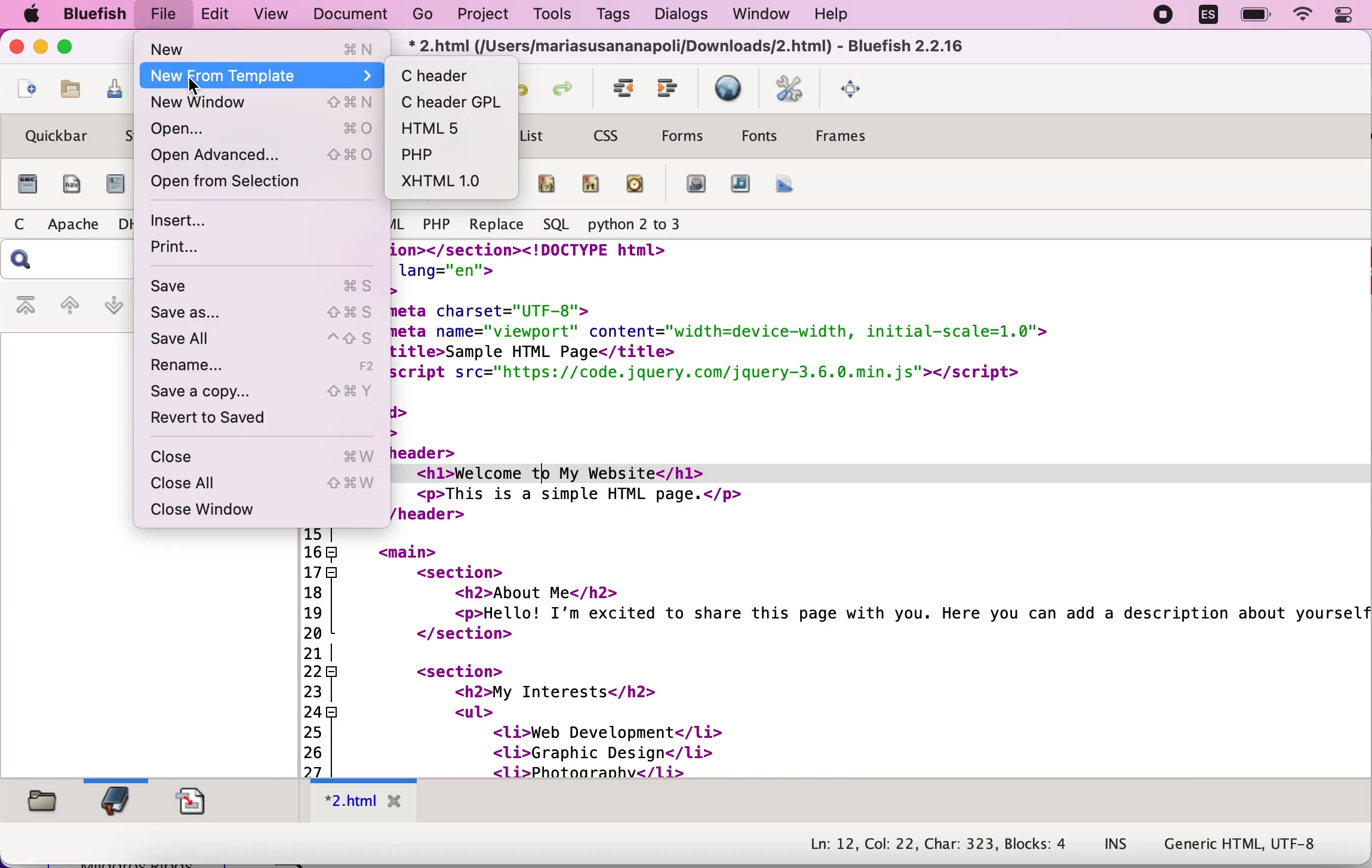 This screenshot has width=1372, height=868. Describe the element at coordinates (112, 309) in the screenshot. I see `next bookmark` at that location.